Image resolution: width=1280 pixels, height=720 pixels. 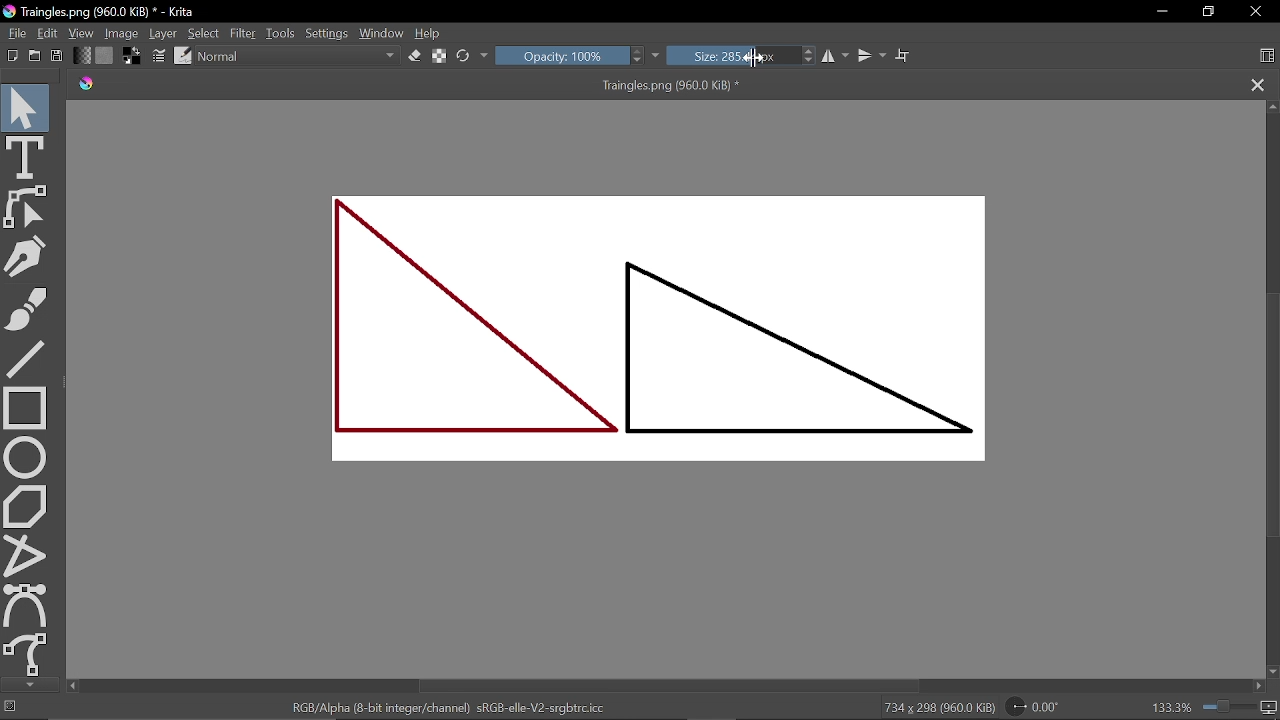 What do you see at coordinates (204, 34) in the screenshot?
I see `Select` at bounding box center [204, 34].